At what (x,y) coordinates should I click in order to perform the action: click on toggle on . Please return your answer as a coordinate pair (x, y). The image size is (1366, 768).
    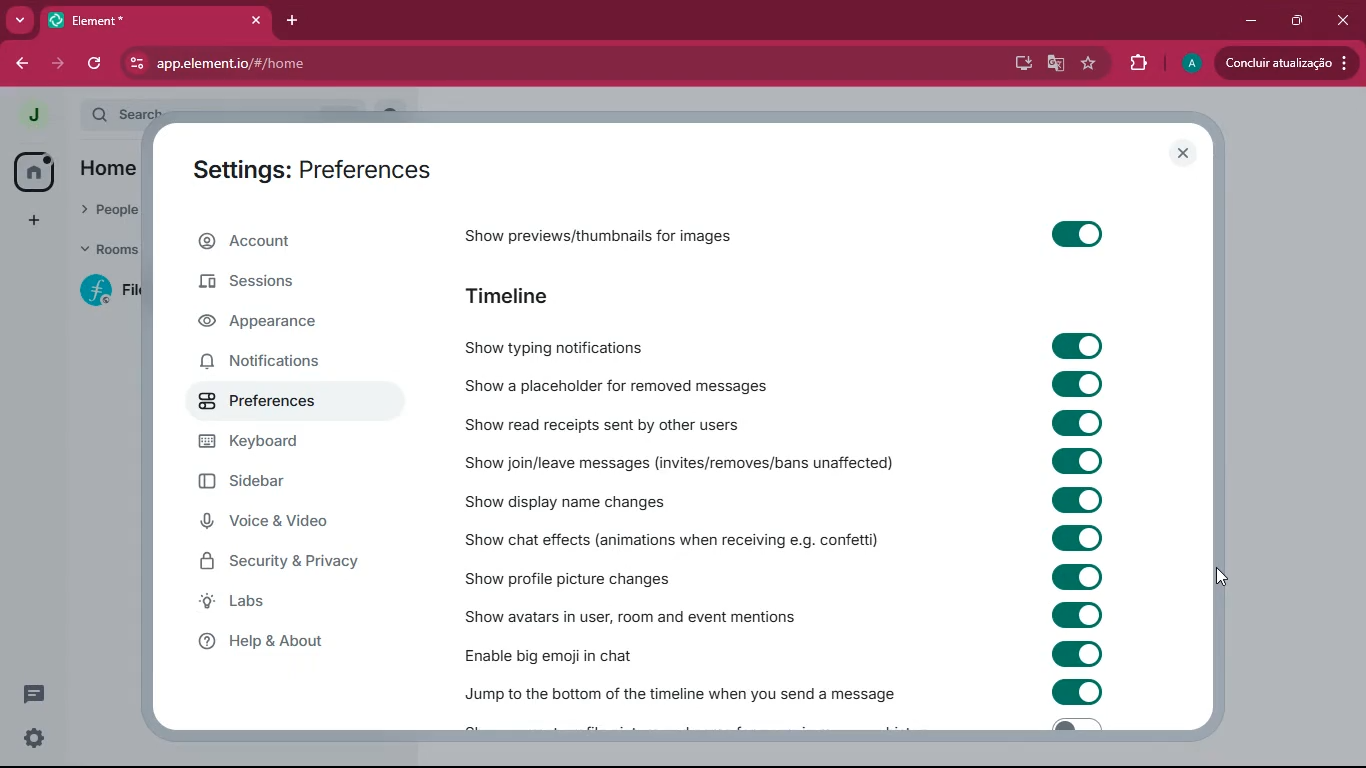
    Looking at the image, I should click on (1073, 461).